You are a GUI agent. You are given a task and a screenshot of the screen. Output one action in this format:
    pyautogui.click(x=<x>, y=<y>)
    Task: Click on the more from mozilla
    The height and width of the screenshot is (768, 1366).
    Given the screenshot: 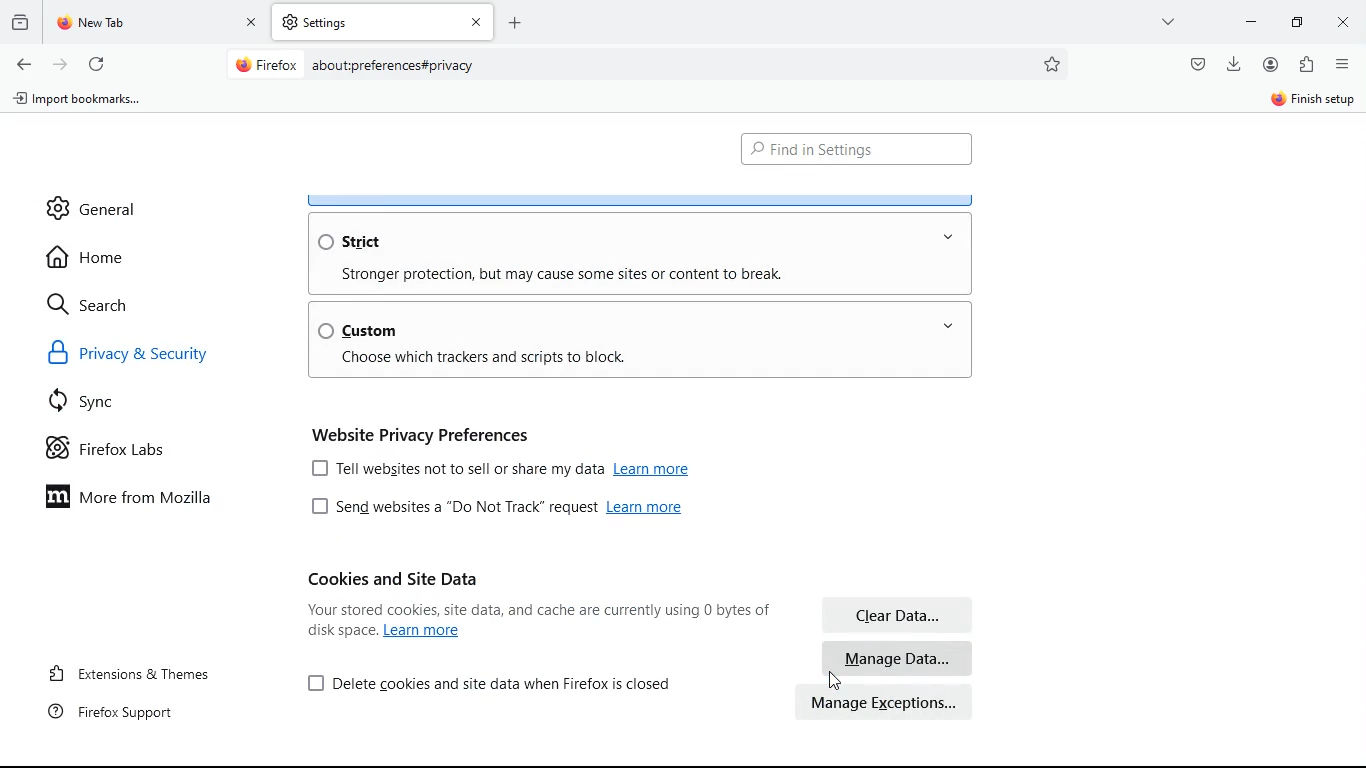 What is the action you would take?
    pyautogui.click(x=146, y=500)
    